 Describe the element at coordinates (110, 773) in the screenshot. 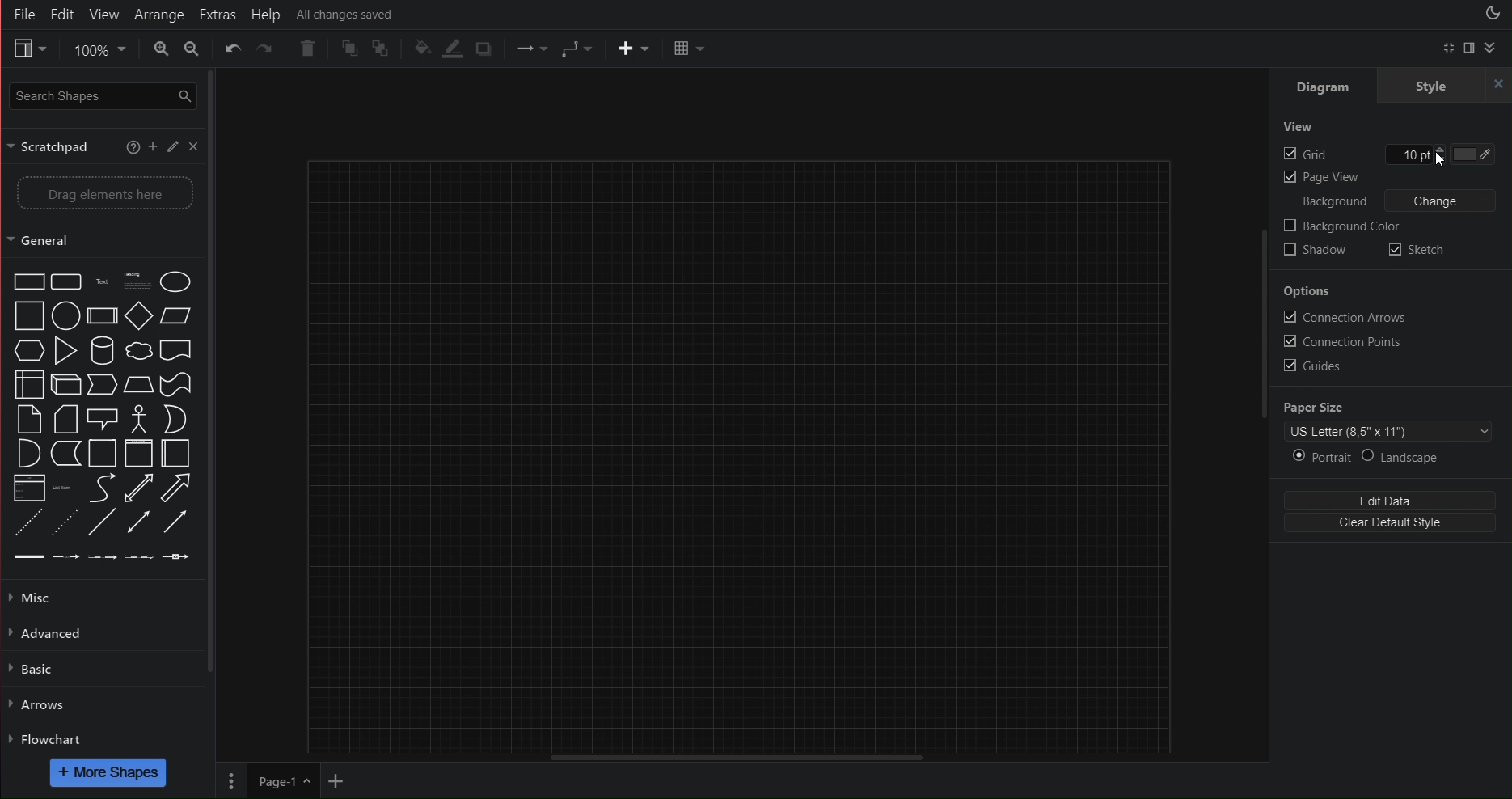

I see `More Shapes` at that location.